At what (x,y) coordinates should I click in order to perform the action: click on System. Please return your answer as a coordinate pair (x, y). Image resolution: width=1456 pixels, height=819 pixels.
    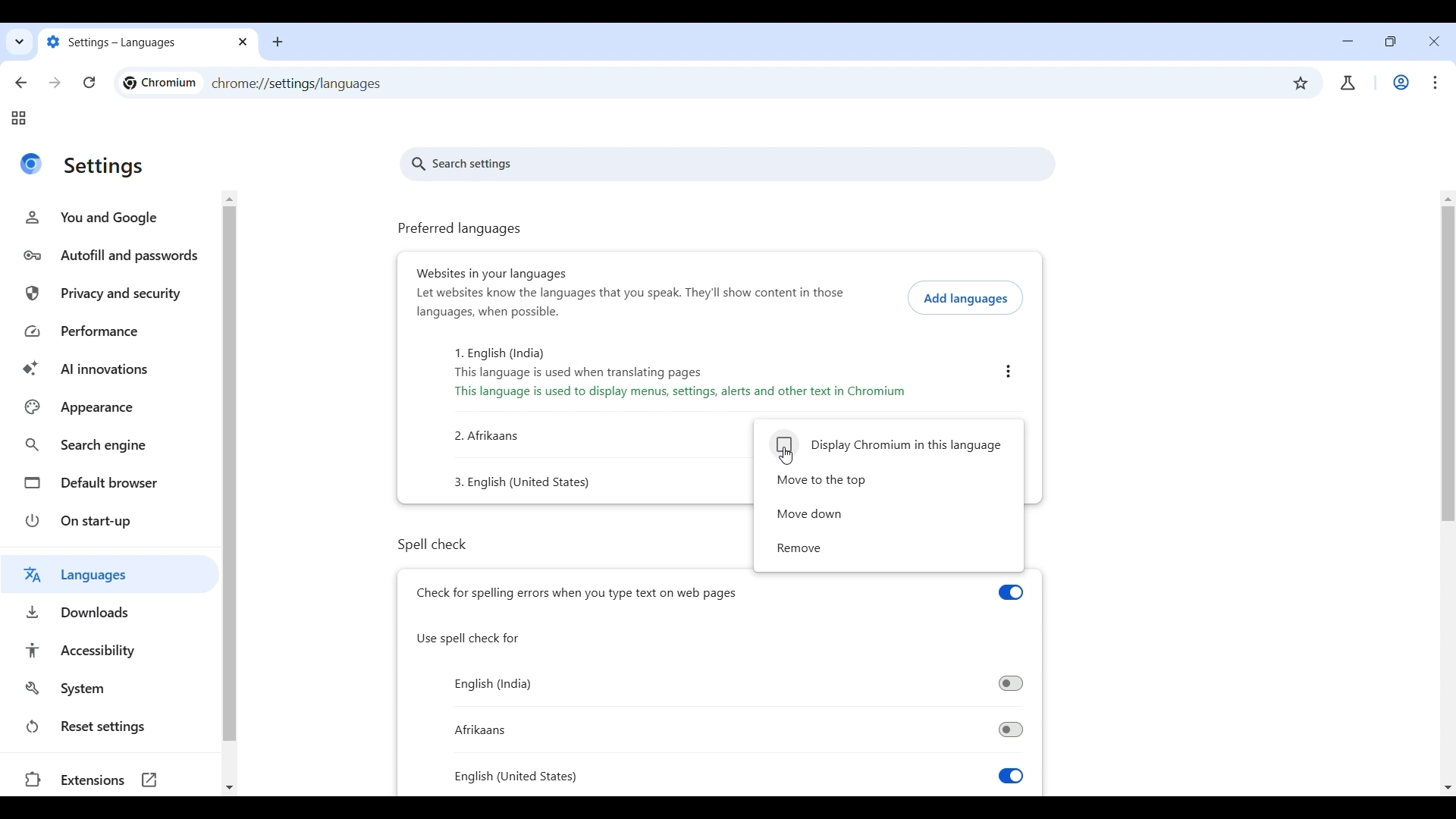
    Looking at the image, I should click on (112, 689).